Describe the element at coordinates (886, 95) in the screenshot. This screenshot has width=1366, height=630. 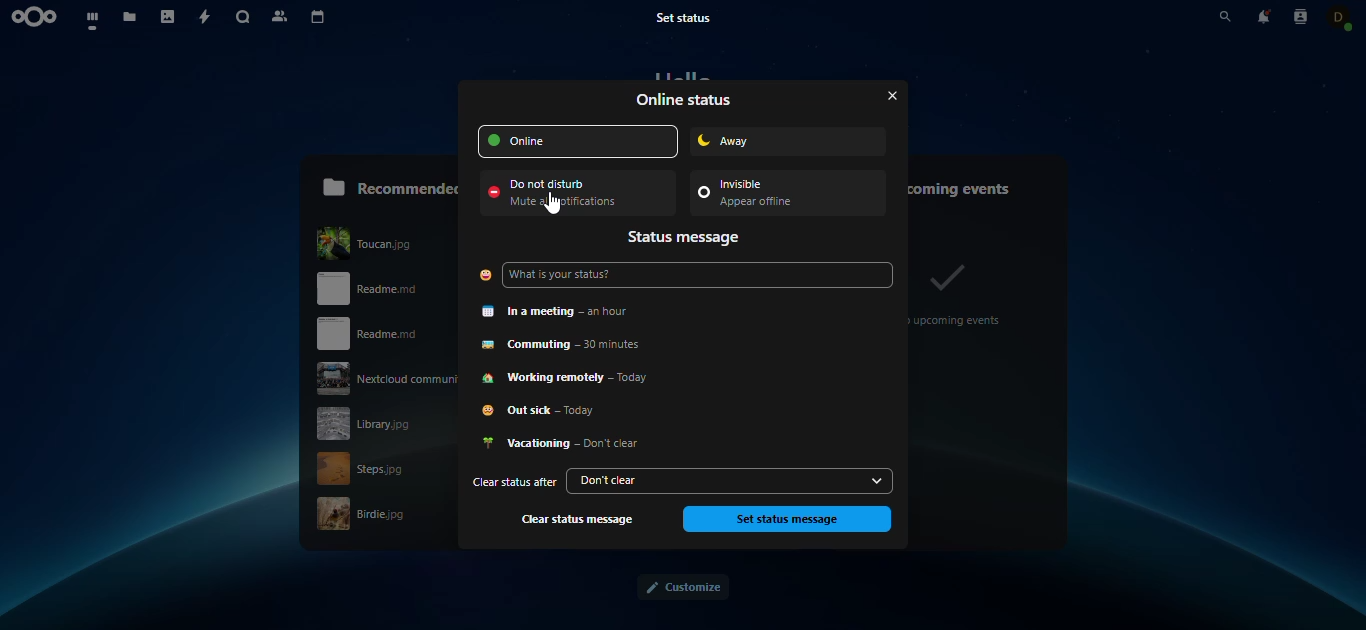
I see `close` at that location.